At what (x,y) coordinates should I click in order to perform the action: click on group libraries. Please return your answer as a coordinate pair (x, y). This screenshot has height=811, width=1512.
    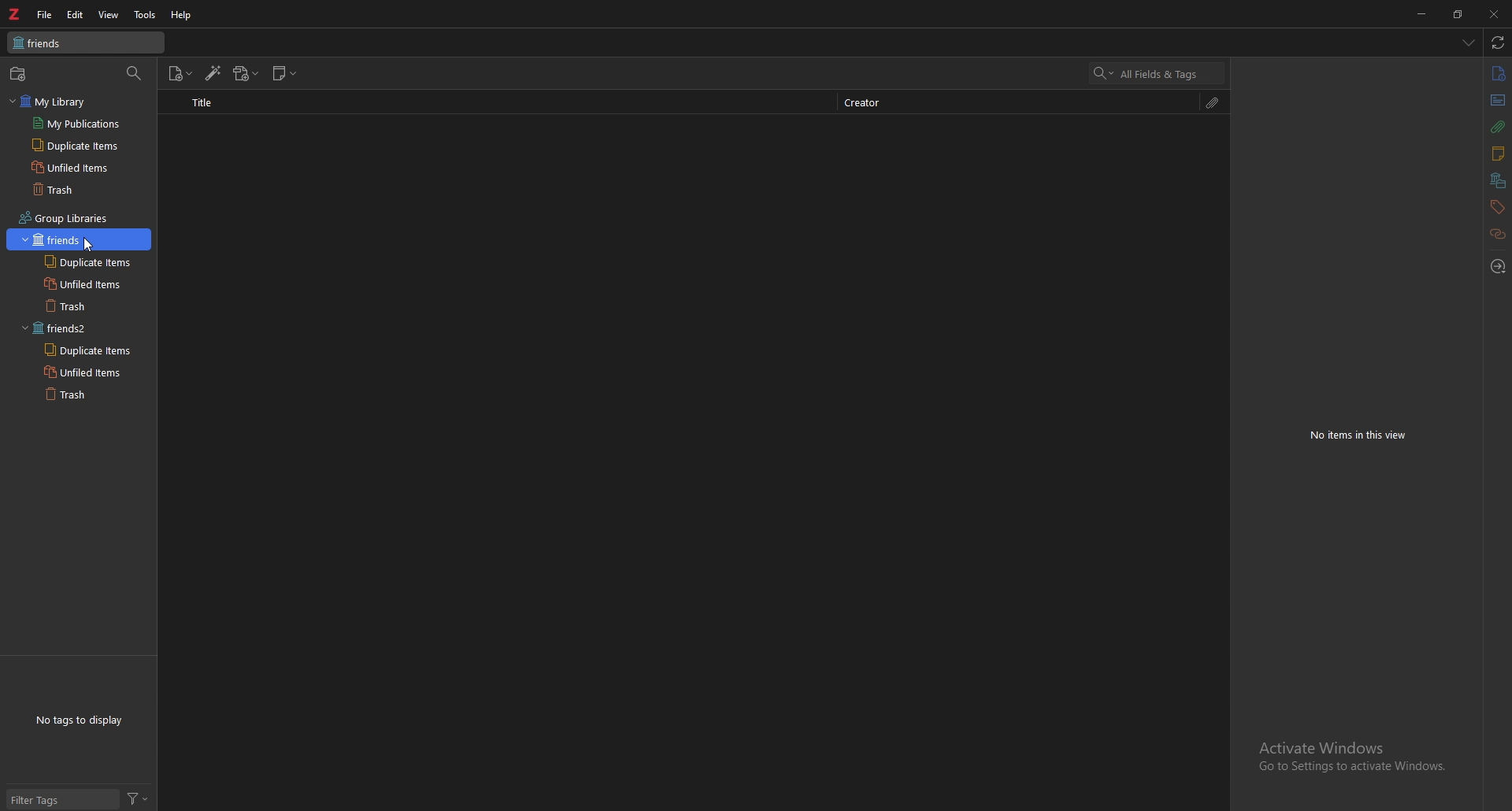
    Looking at the image, I should click on (60, 216).